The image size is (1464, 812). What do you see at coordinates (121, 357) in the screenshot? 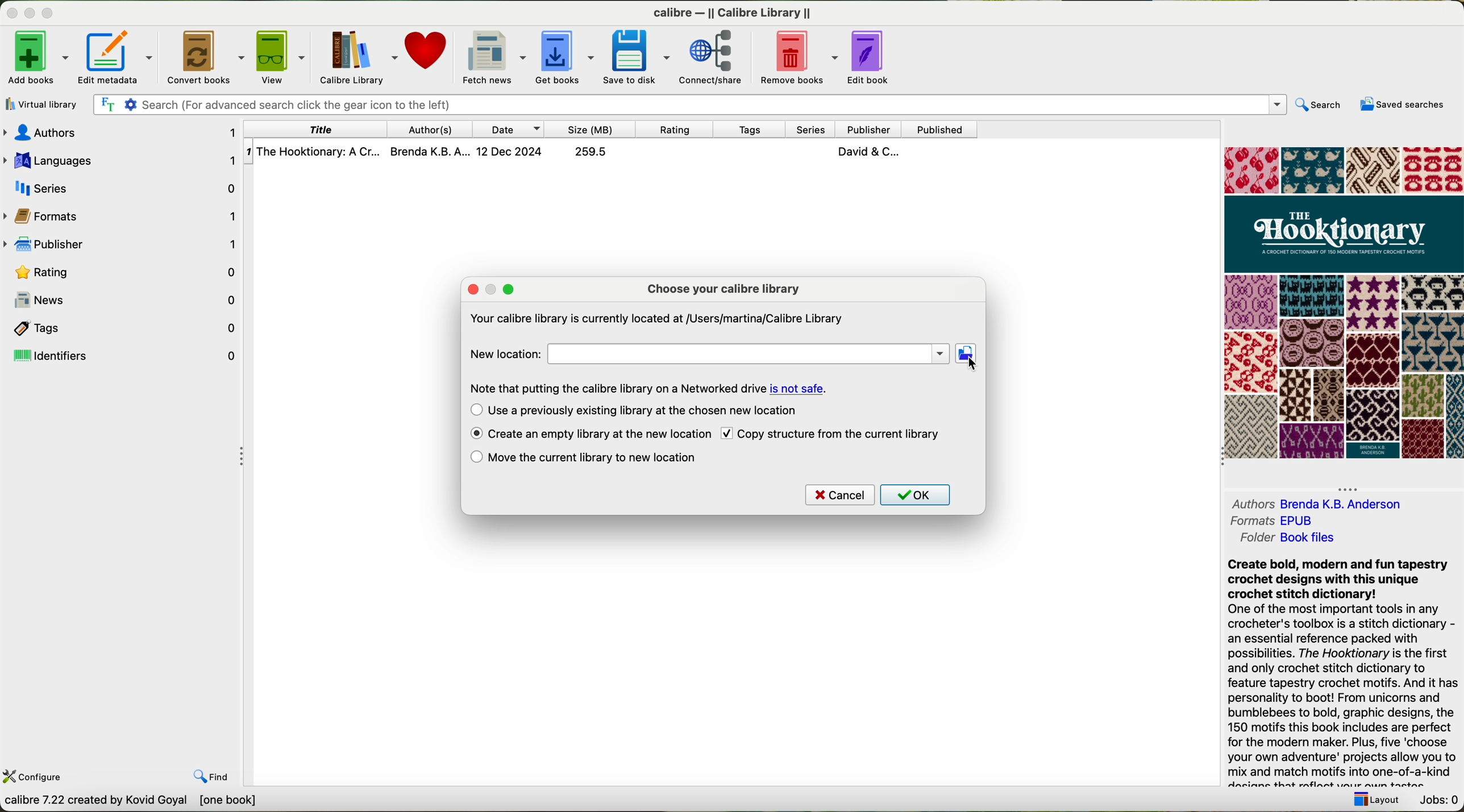
I see `identifiers` at bounding box center [121, 357].